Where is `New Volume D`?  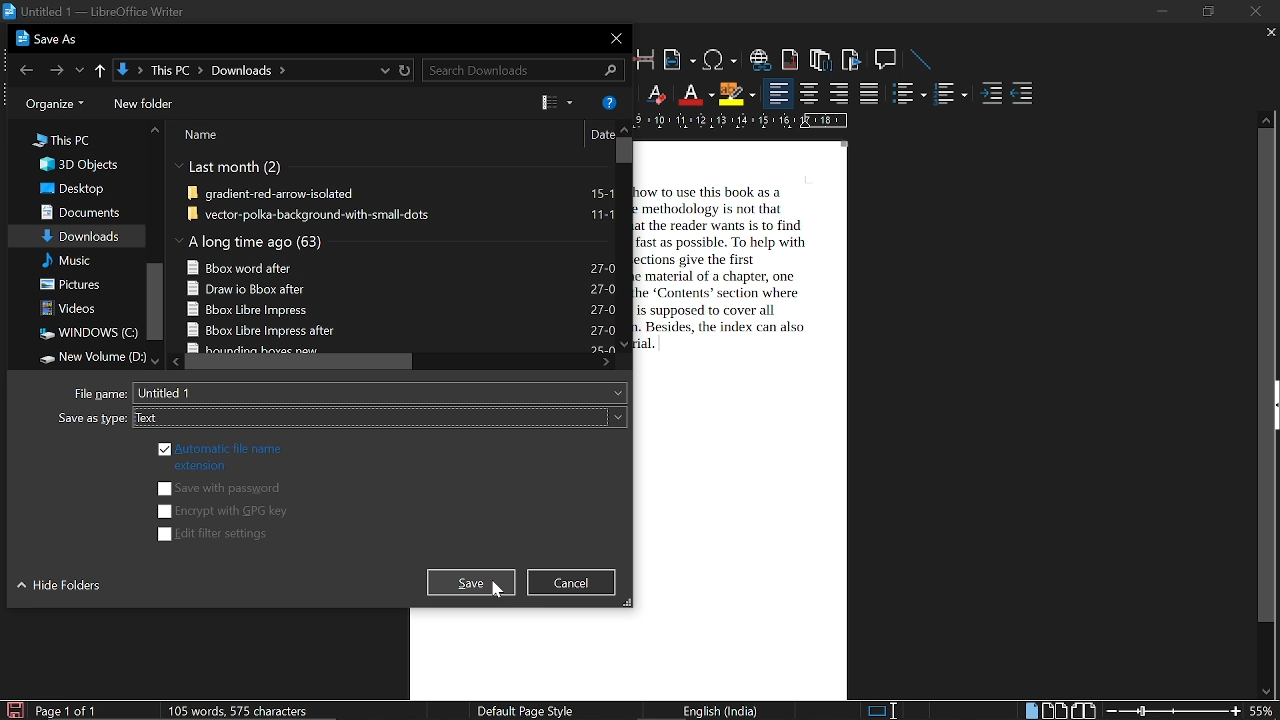
New Volume D is located at coordinates (85, 357).